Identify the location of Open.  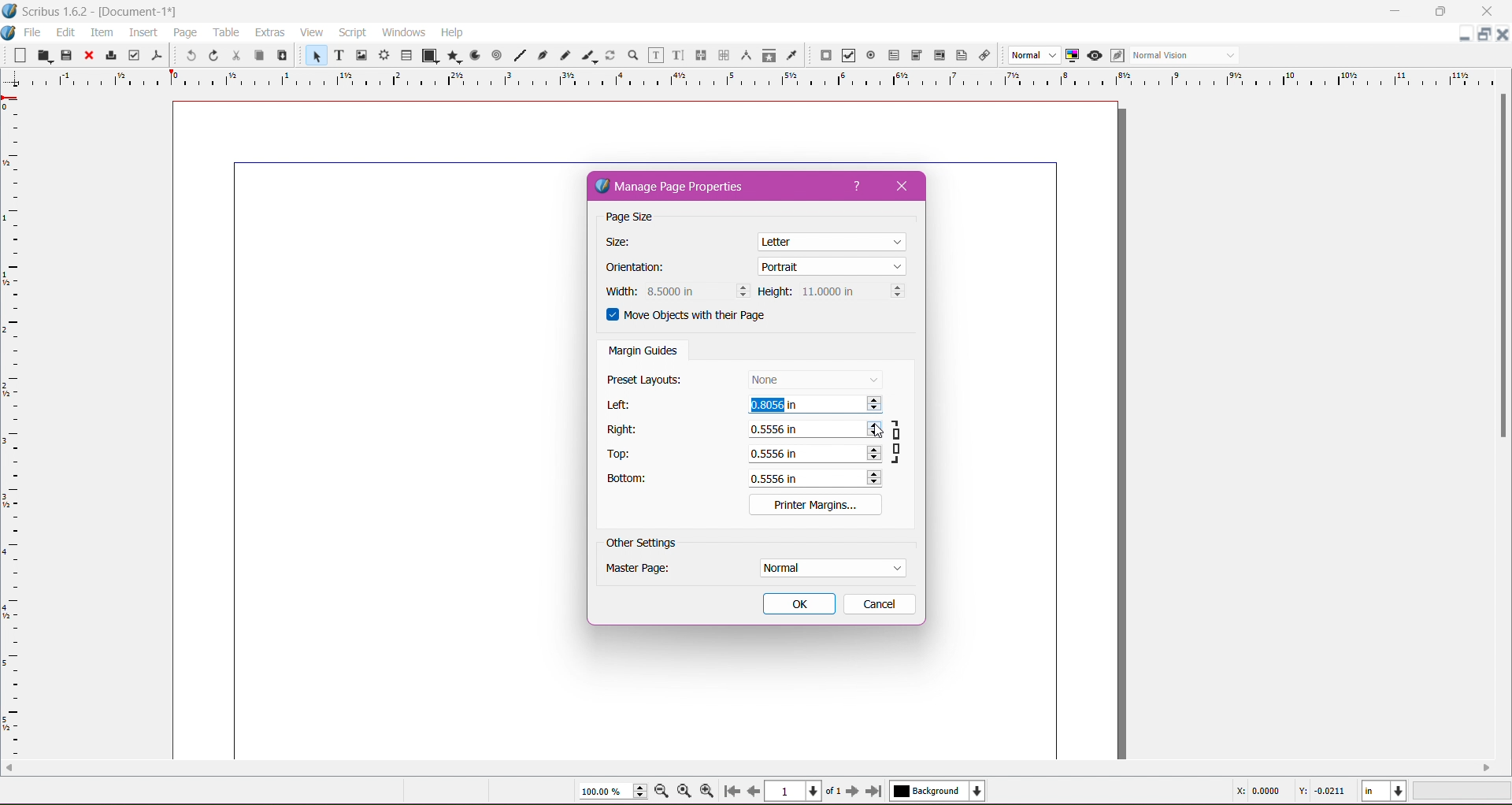
(42, 55).